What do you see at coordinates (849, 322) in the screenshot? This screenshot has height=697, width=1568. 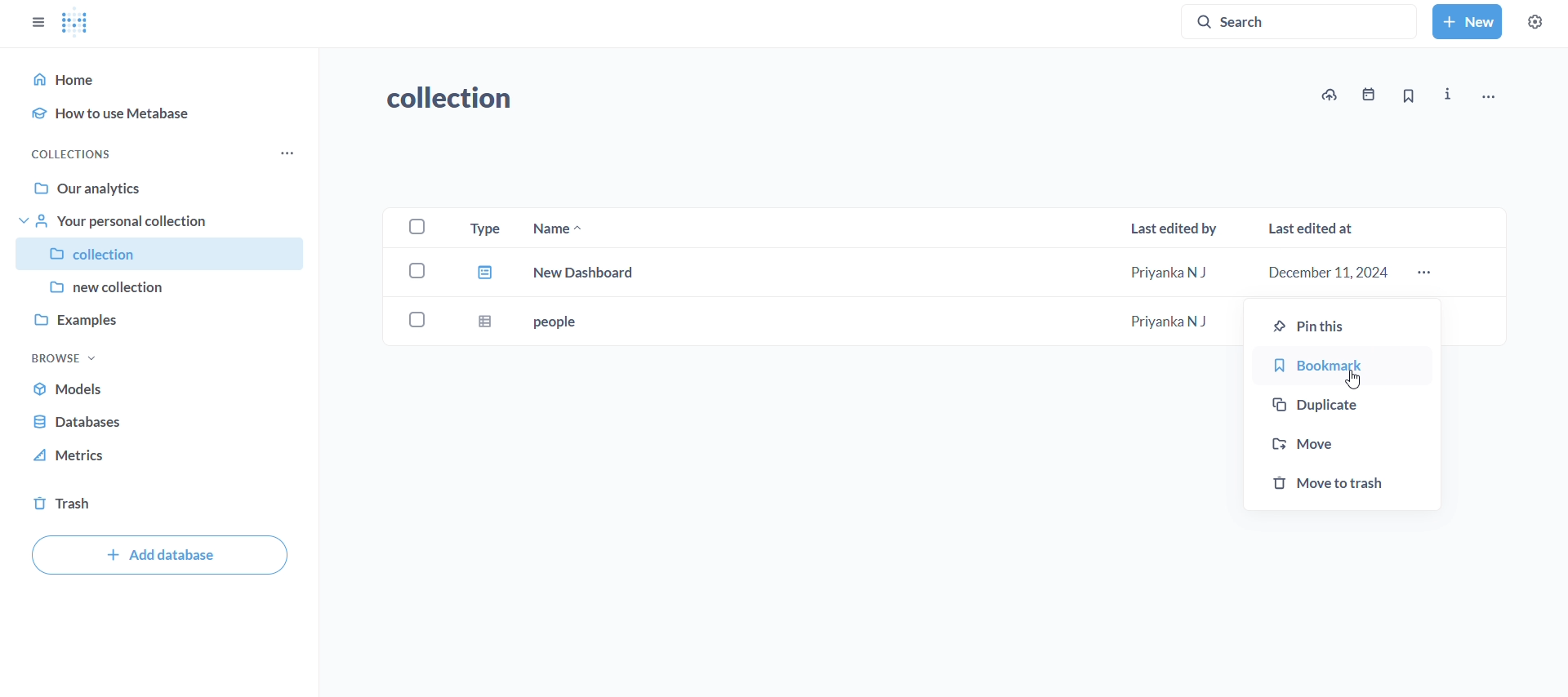 I see `people` at bounding box center [849, 322].